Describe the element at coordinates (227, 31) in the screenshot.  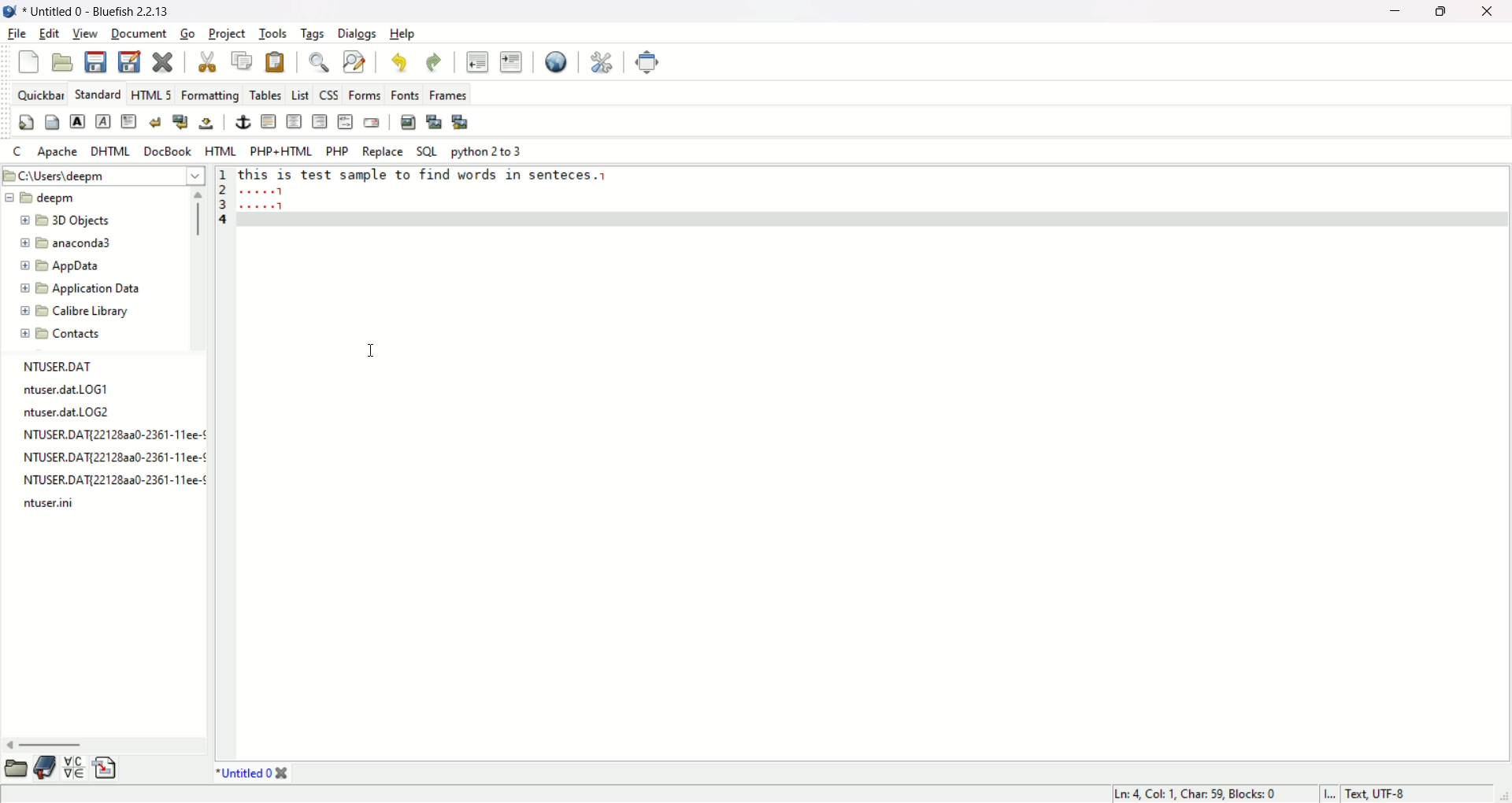
I see `project` at that location.